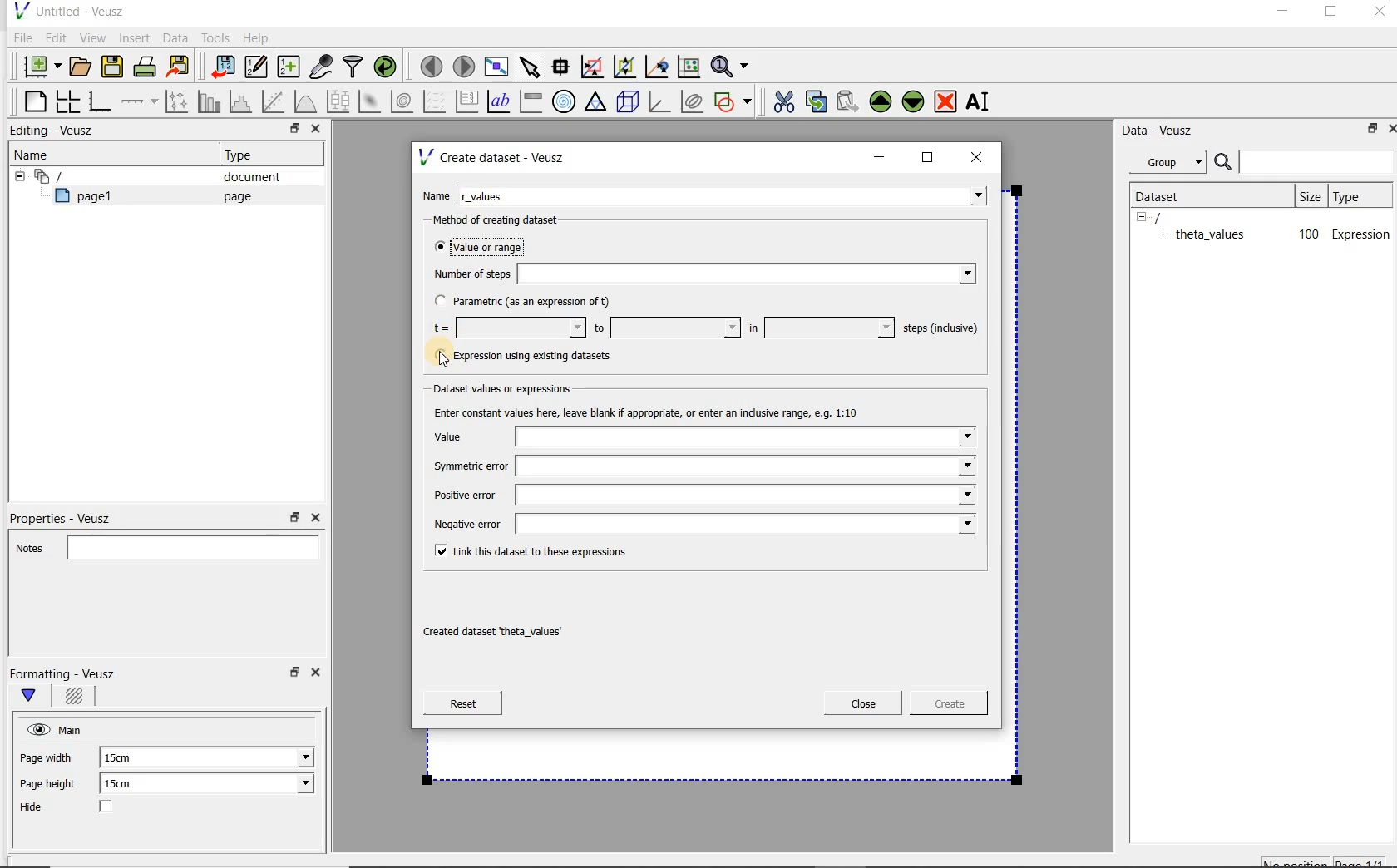  What do you see at coordinates (702, 467) in the screenshot?
I see `Symmetric error` at bounding box center [702, 467].